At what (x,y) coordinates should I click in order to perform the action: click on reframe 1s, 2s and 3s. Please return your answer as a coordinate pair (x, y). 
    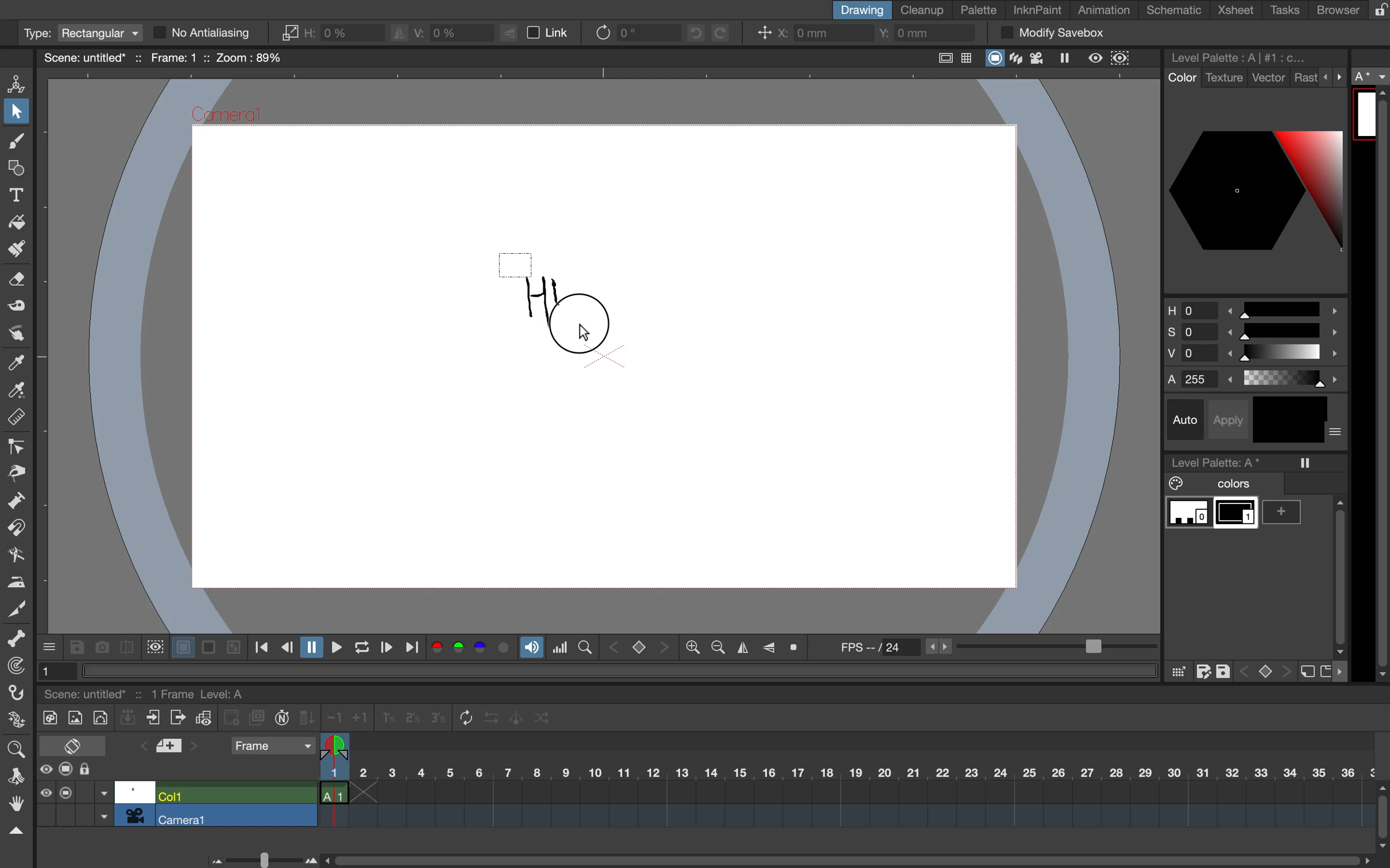
    Looking at the image, I should click on (405, 719).